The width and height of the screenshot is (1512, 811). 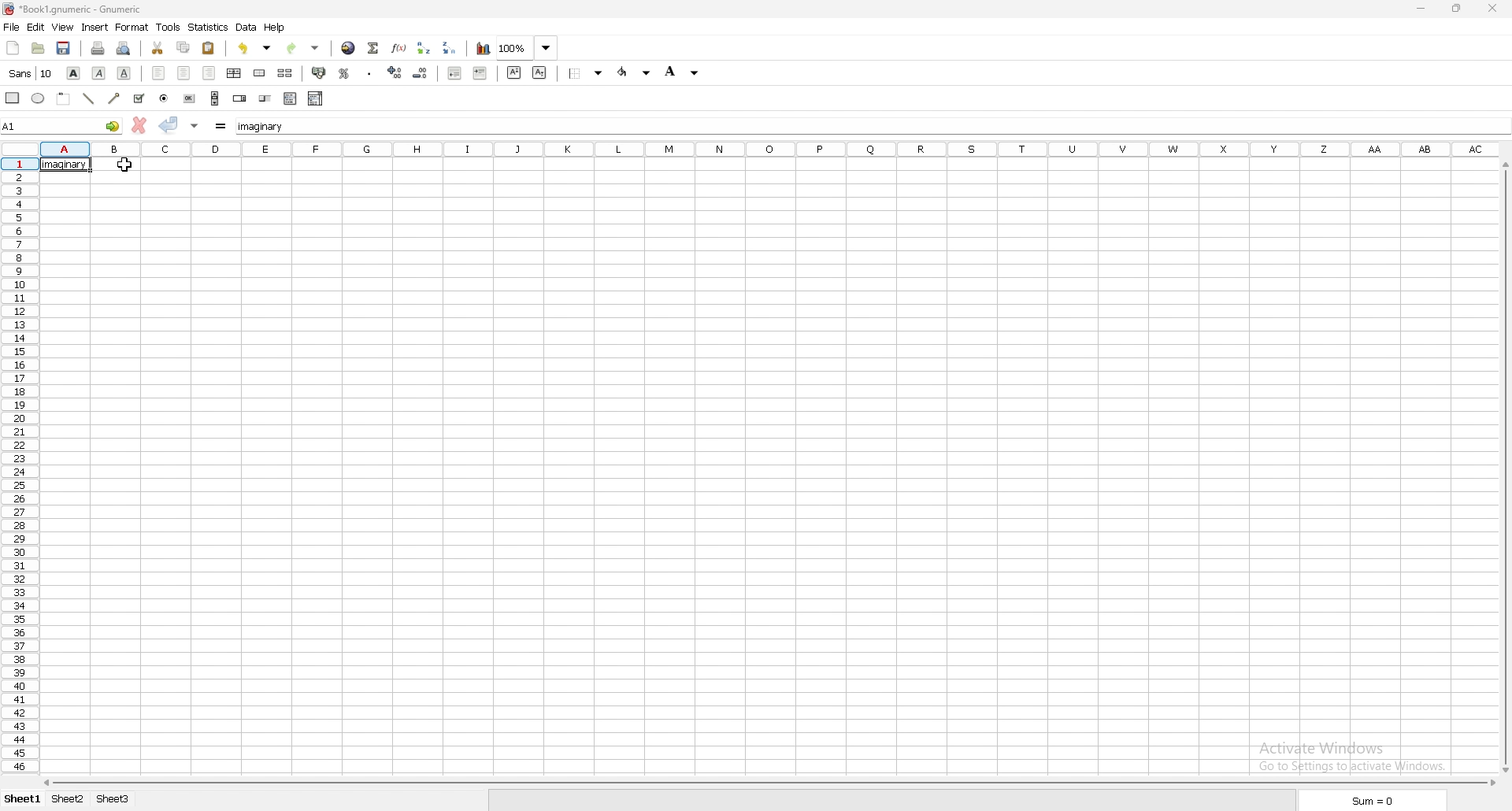 What do you see at coordinates (291, 99) in the screenshot?
I see `list` at bounding box center [291, 99].